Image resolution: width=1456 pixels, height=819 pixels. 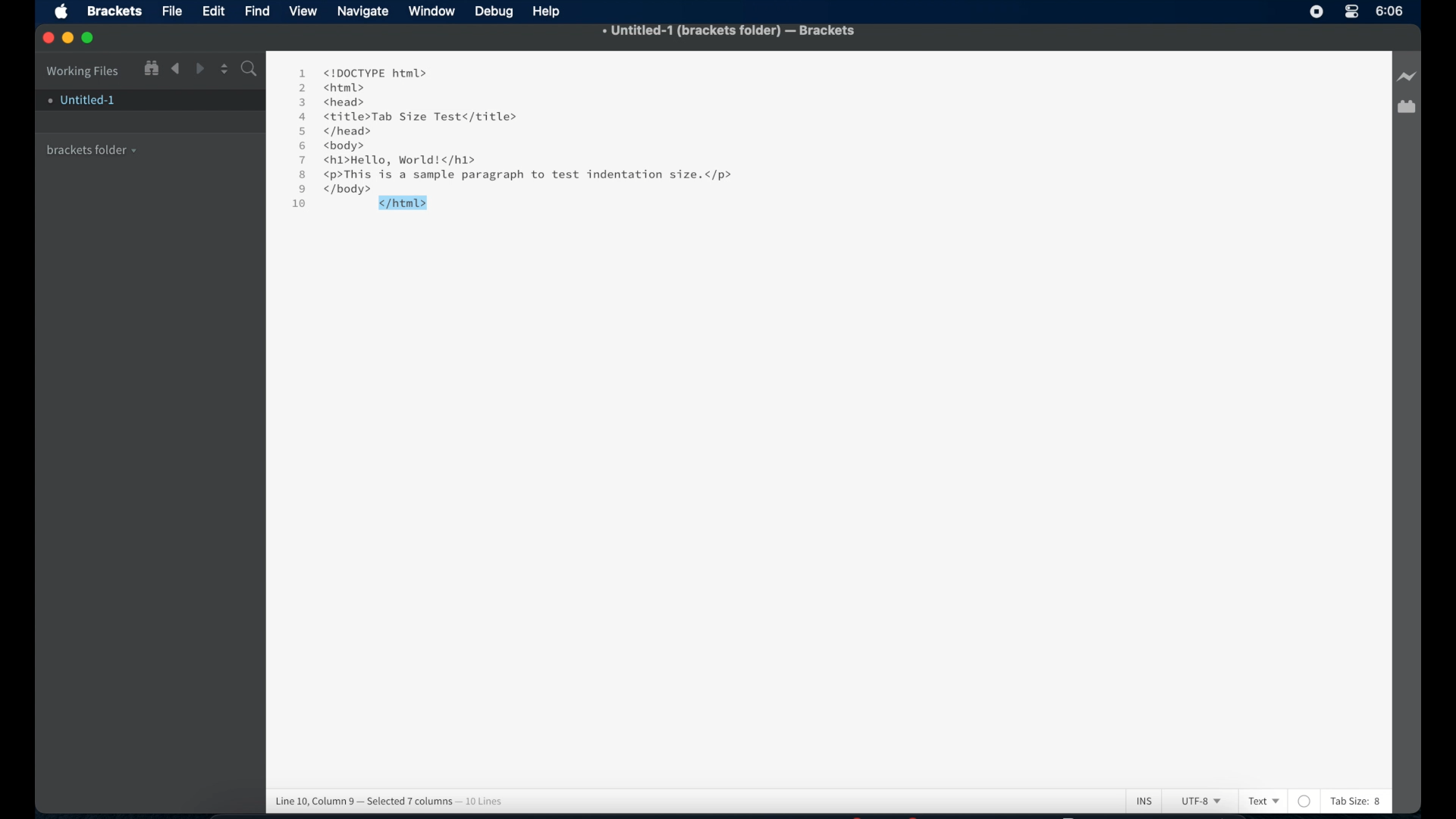 I want to click on 9 </body>, so click(x=350, y=190).